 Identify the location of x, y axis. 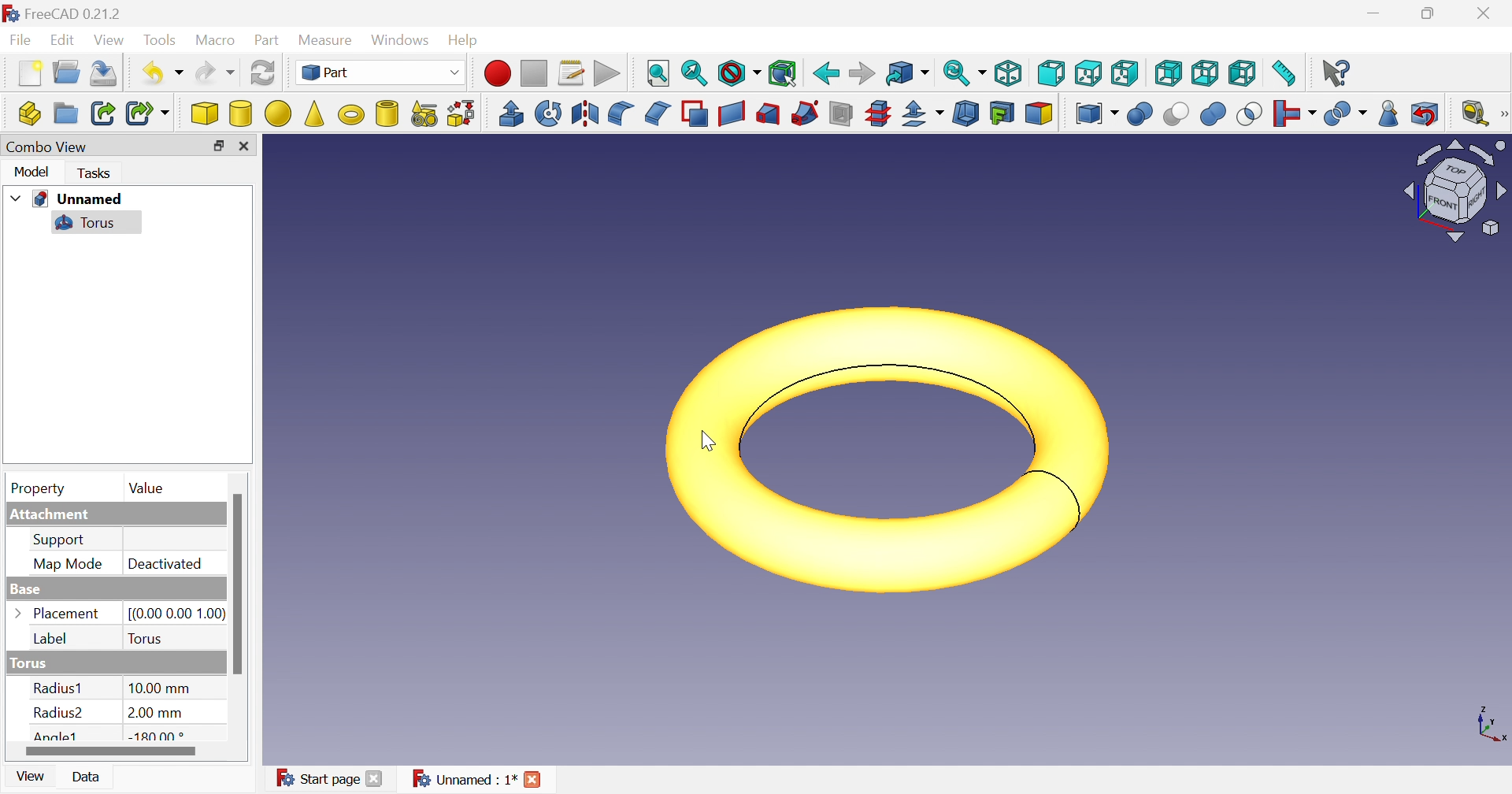
(1492, 727).